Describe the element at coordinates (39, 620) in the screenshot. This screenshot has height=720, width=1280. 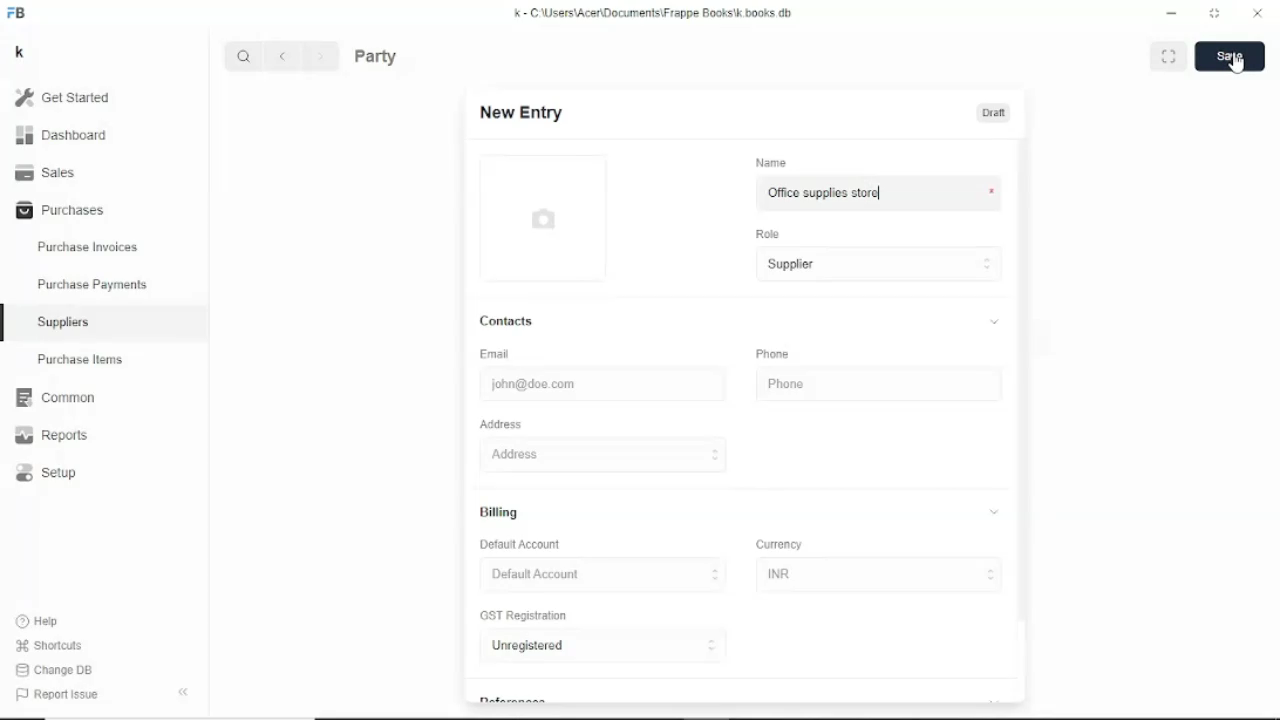
I see `Help` at that location.